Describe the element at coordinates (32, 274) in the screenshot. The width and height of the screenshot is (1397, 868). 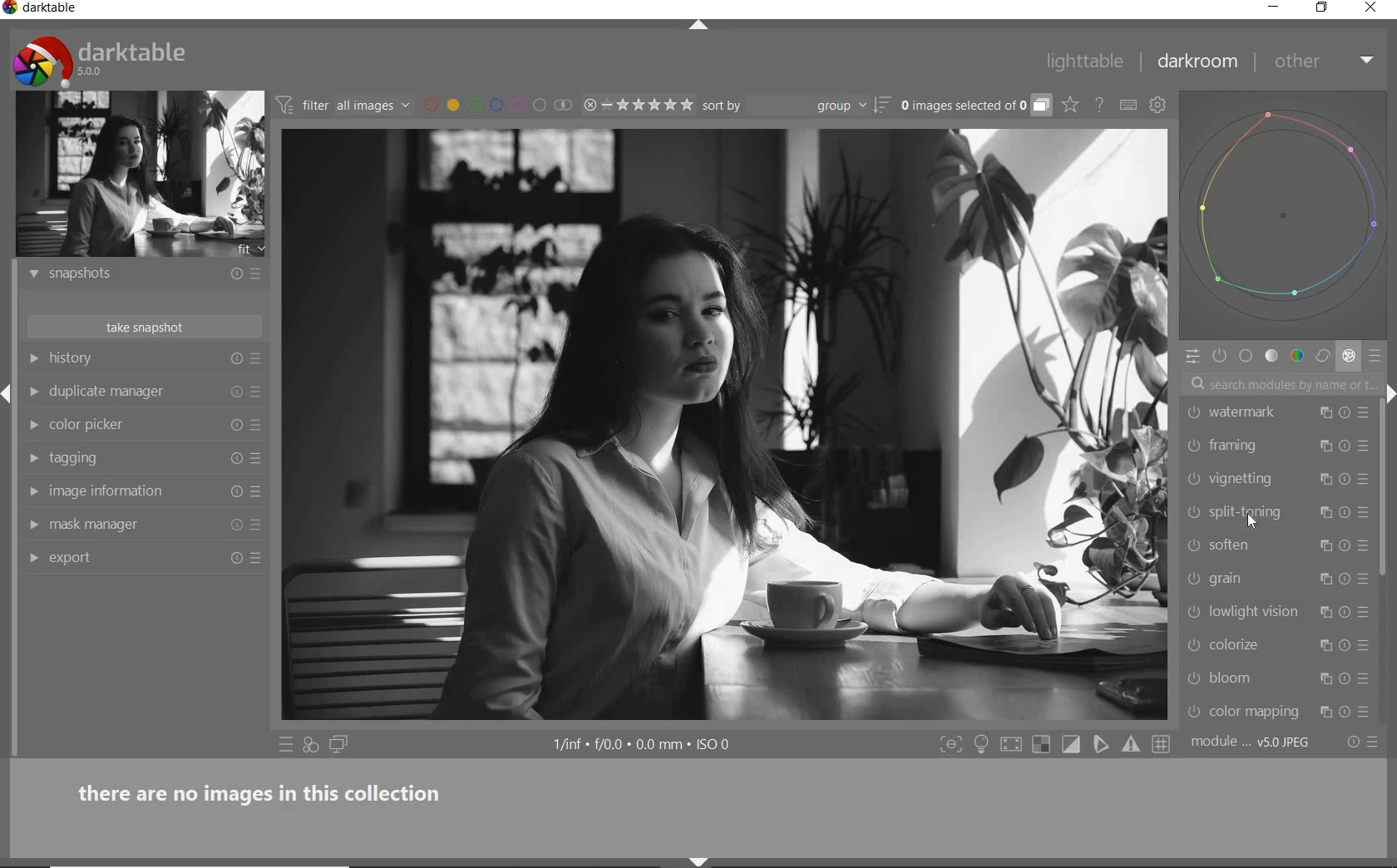
I see `show module` at that location.